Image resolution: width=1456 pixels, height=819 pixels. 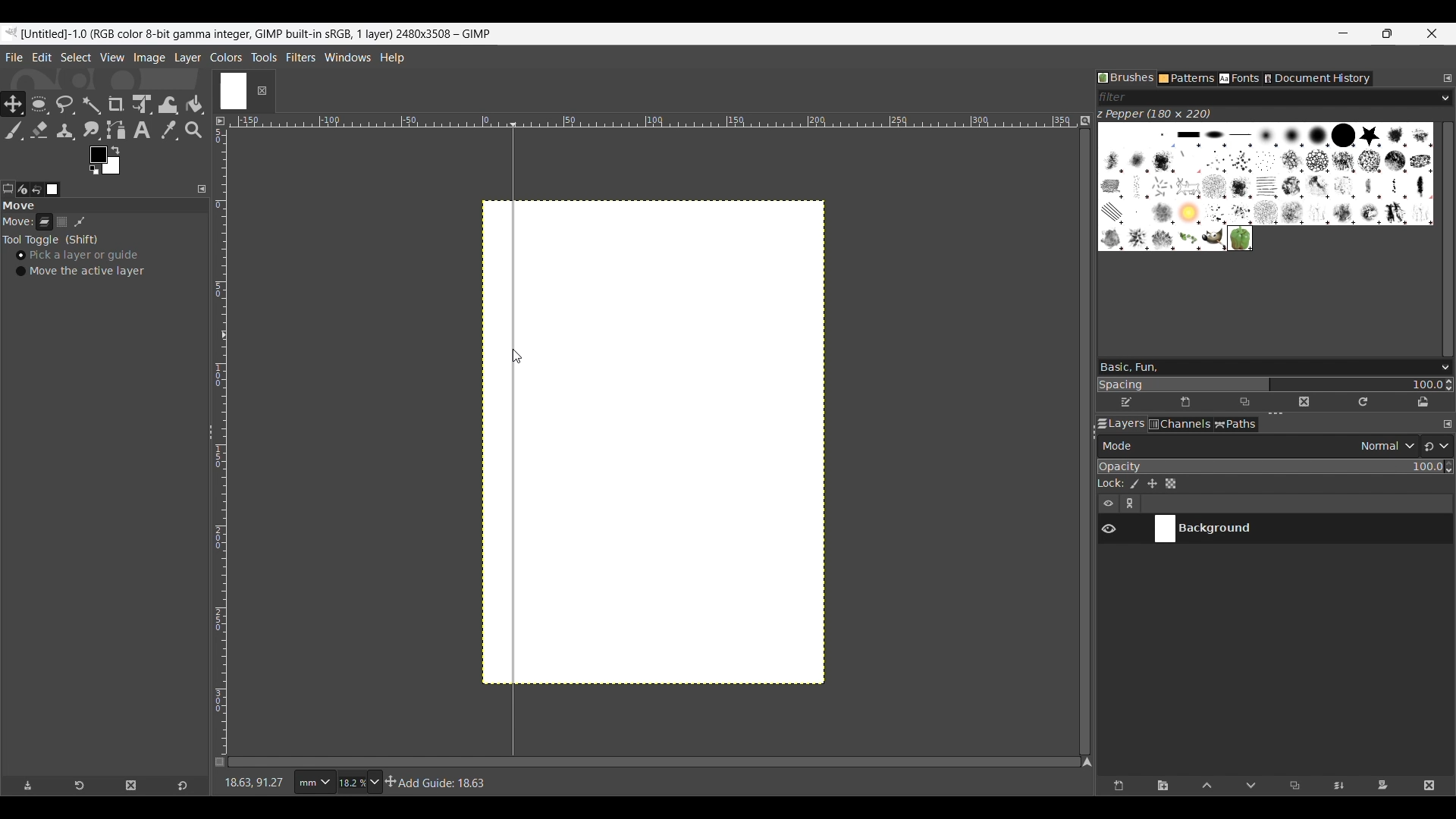 I want to click on Unified transform tool, so click(x=141, y=104).